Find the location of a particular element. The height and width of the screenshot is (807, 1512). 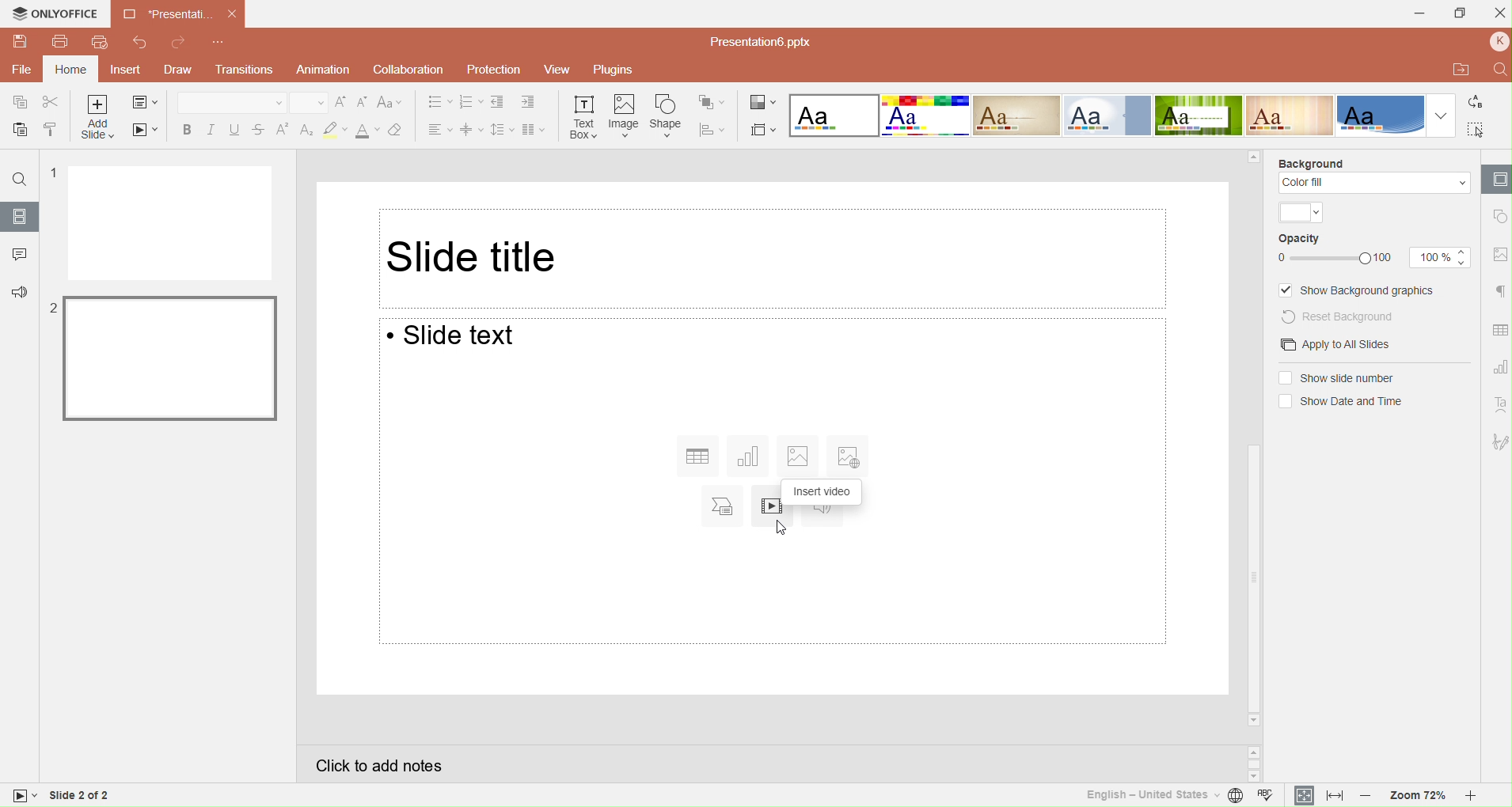

File is located at coordinates (20, 70).